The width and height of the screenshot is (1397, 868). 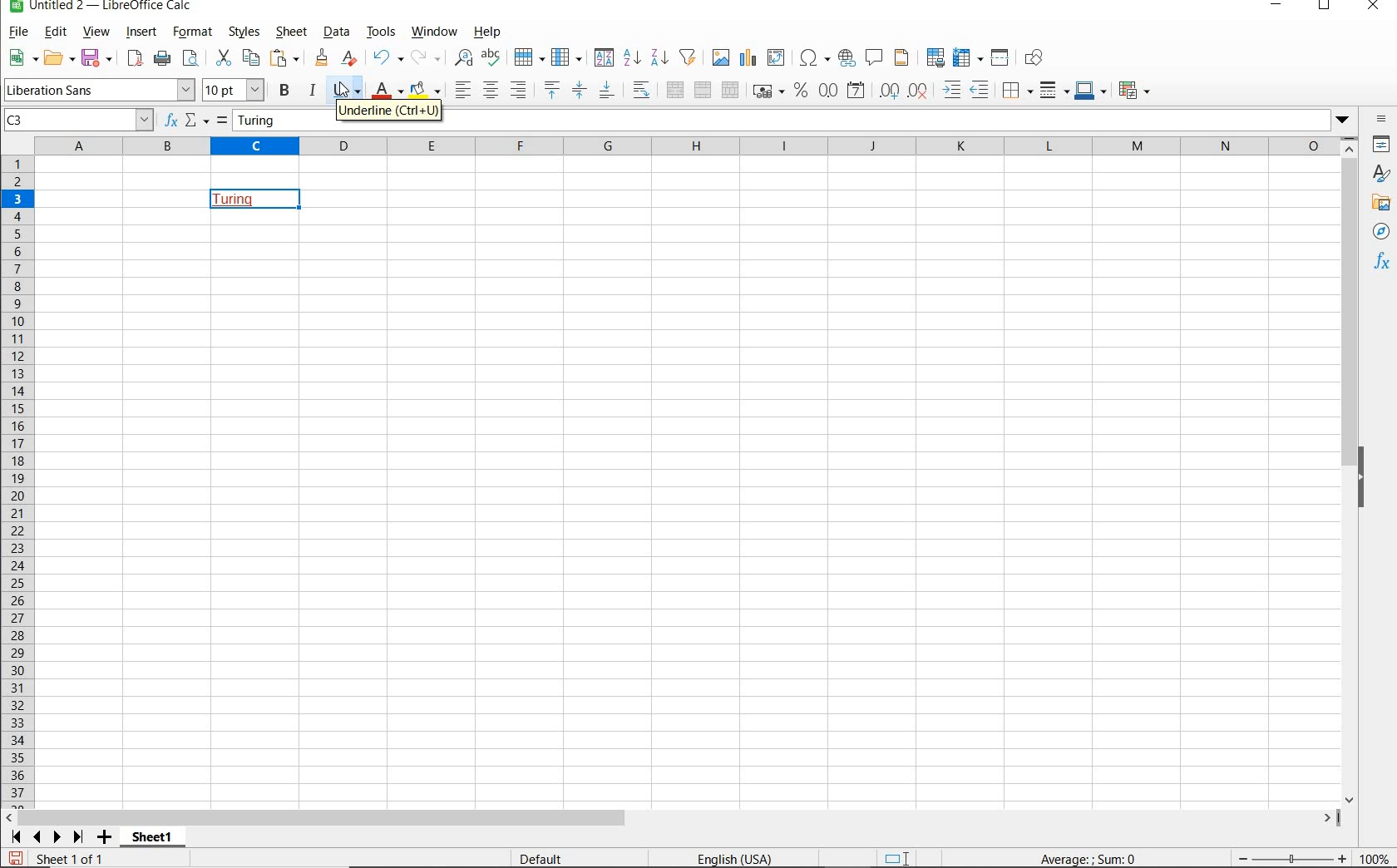 I want to click on TEXT LANGUAGE, so click(x=729, y=859).